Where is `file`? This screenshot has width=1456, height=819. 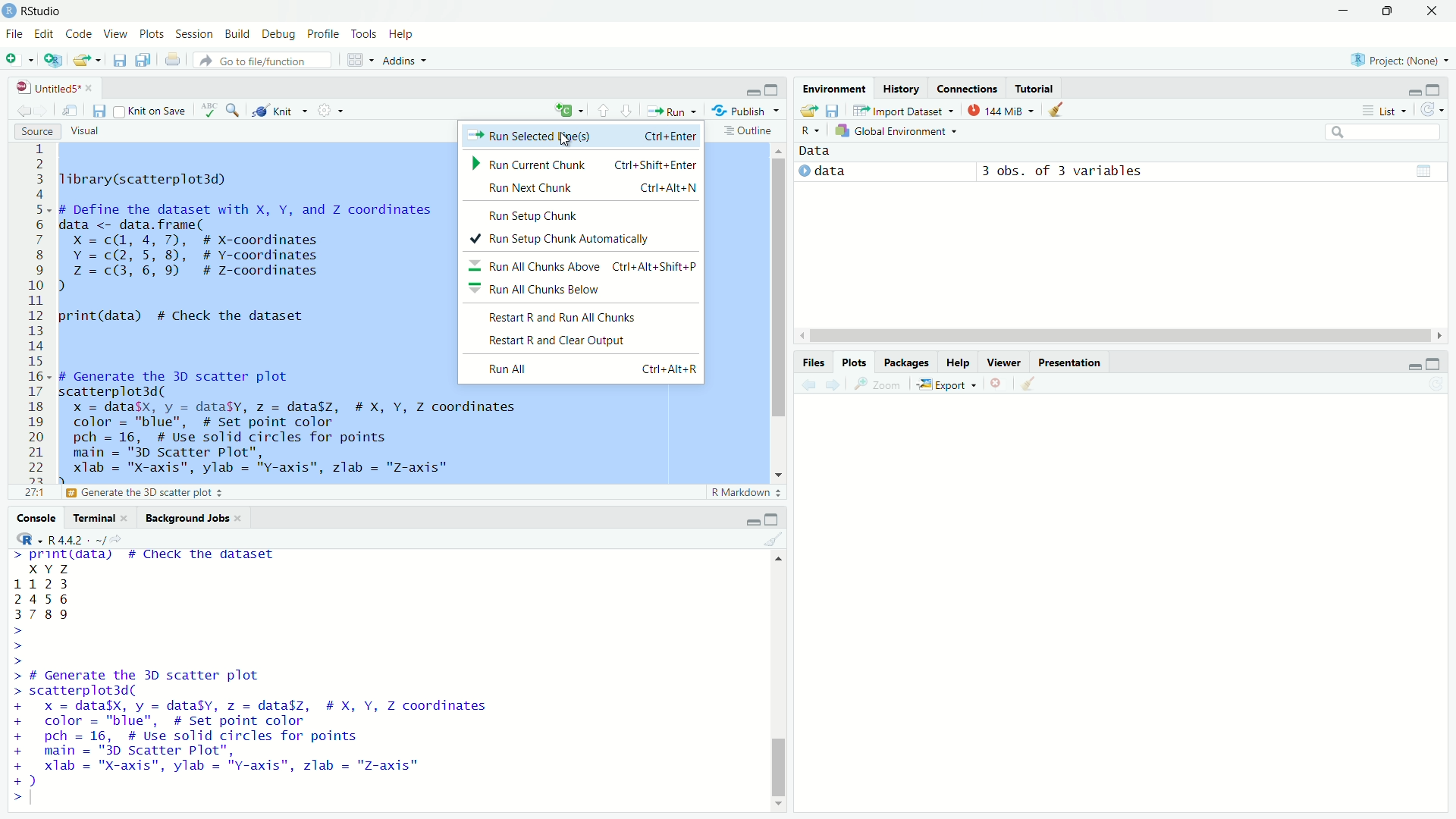 file is located at coordinates (12, 35).